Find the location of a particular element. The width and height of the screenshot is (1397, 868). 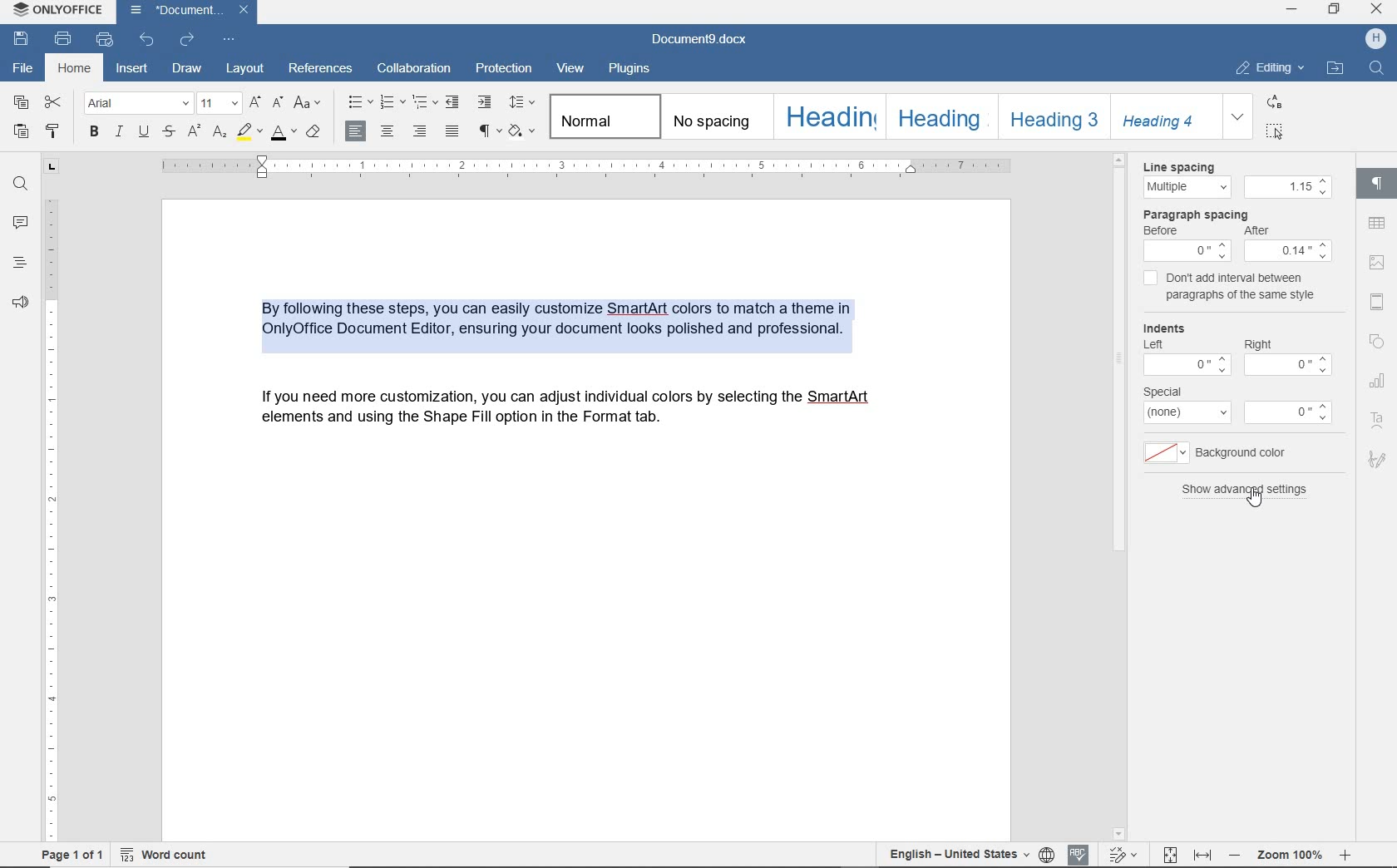

(none) is located at coordinates (1185, 416).